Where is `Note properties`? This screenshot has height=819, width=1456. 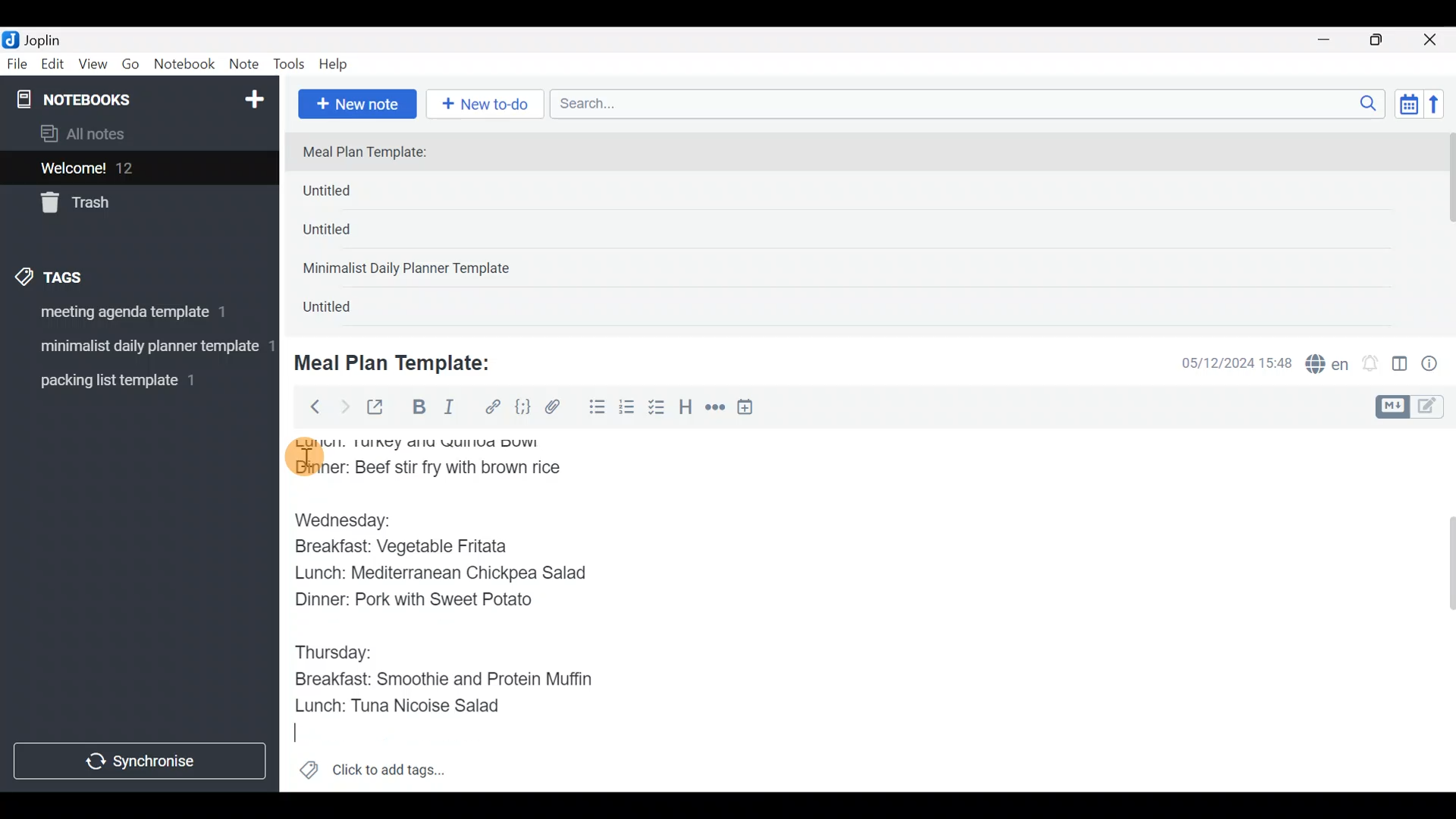 Note properties is located at coordinates (1436, 365).